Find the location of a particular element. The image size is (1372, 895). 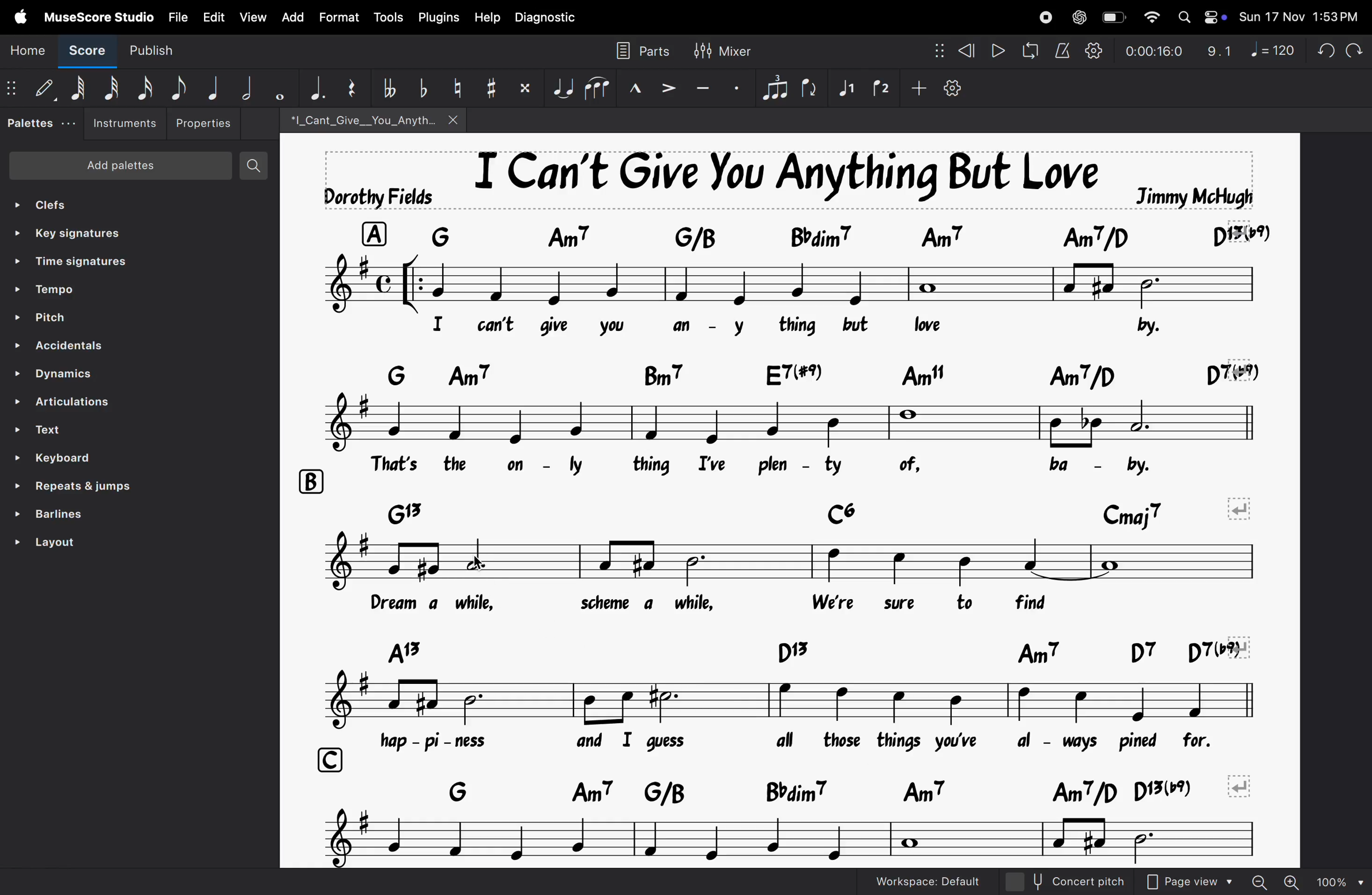

musescore studio menu is located at coordinates (99, 18).